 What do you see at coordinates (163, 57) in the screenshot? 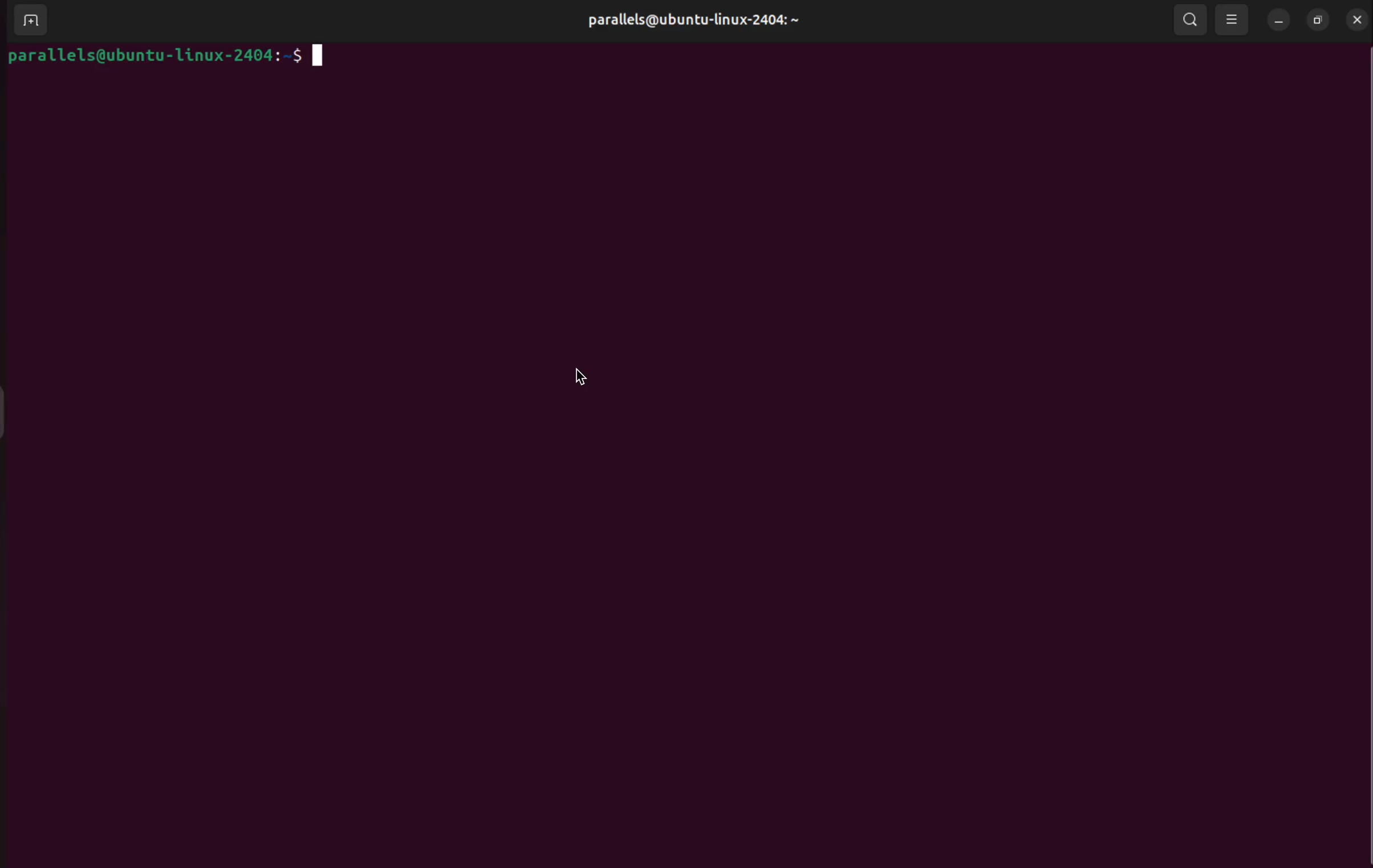
I see `parallels@ubuntu-linux-2404:-$` at bounding box center [163, 57].